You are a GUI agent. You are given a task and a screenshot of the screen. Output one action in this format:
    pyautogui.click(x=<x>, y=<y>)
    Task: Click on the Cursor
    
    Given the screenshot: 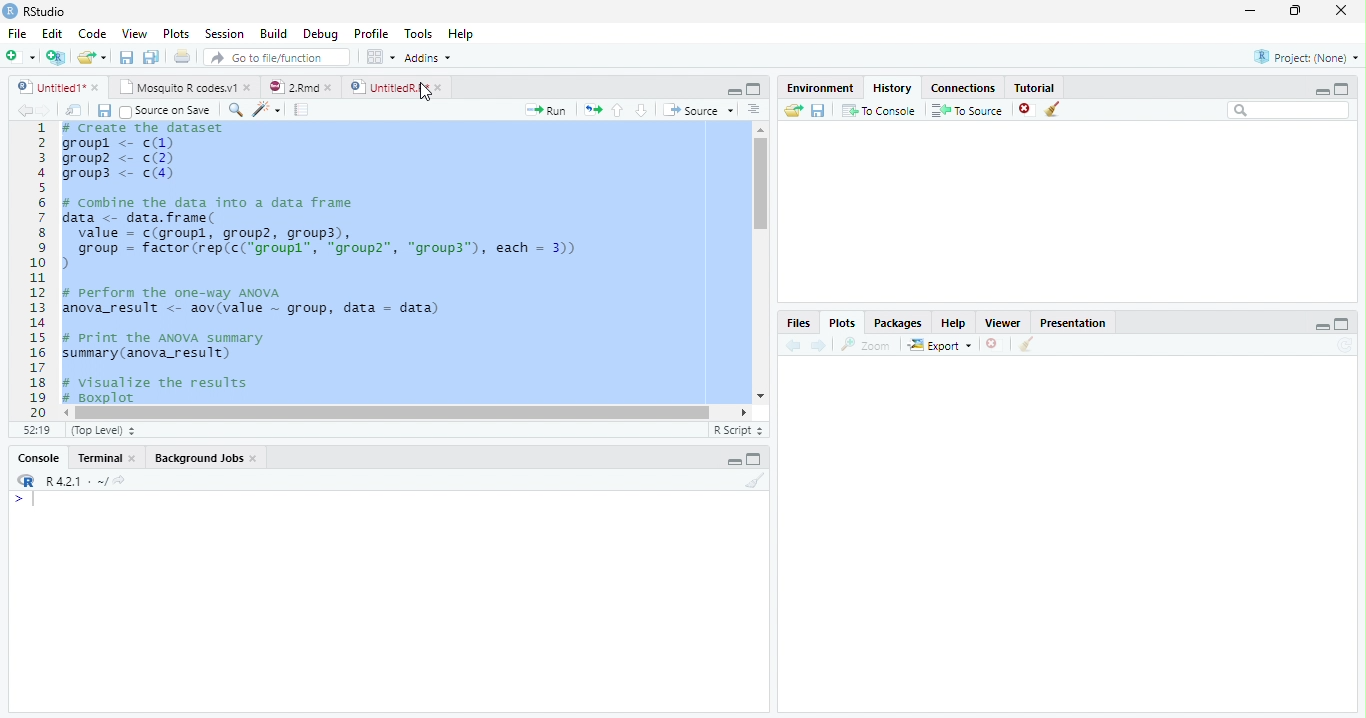 What is the action you would take?
    pyautogui.click(x=426, y=90)
    